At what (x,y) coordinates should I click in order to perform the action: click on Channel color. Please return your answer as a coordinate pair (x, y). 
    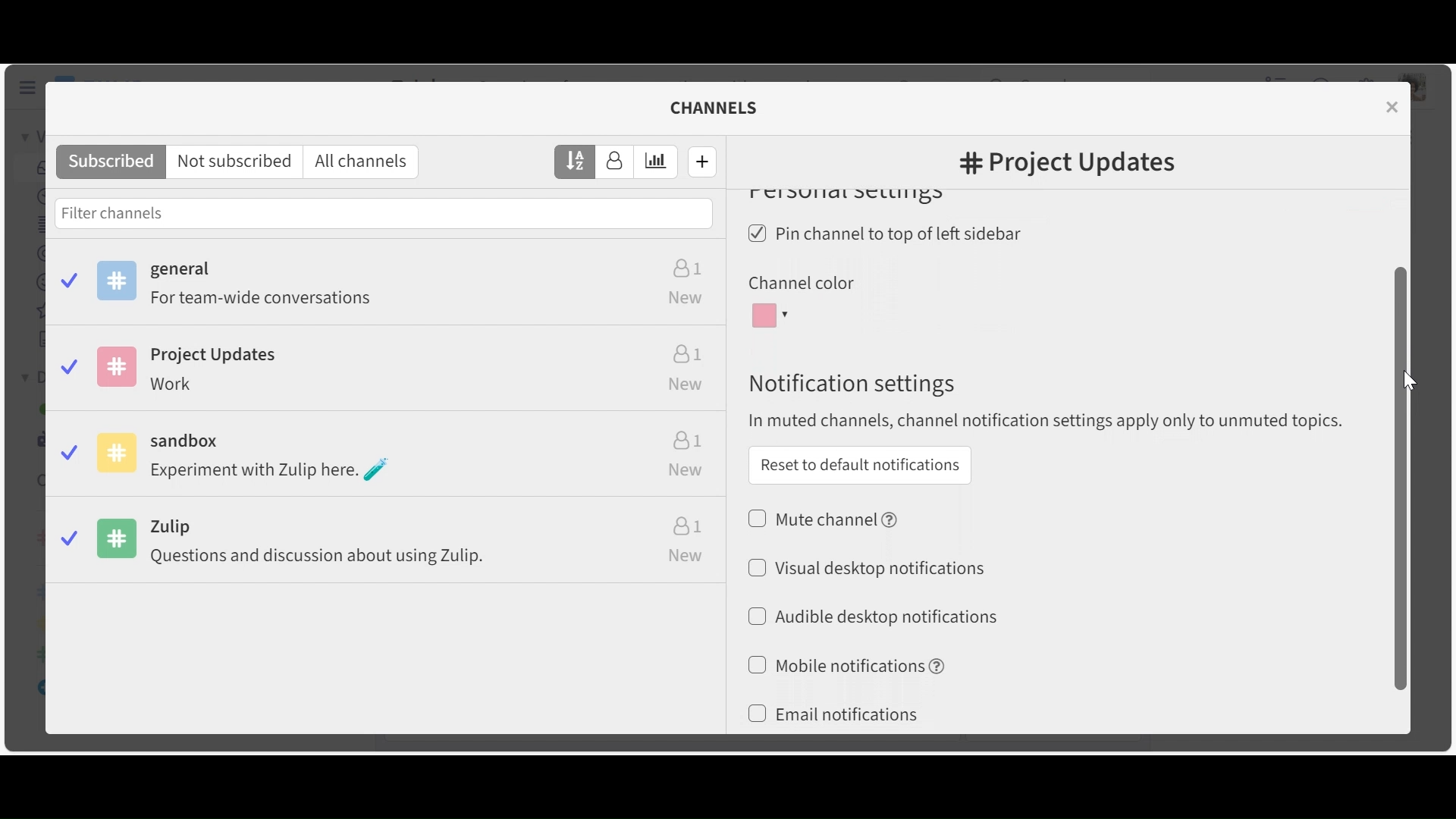
    Looking at the image, I should click on (800, 284).